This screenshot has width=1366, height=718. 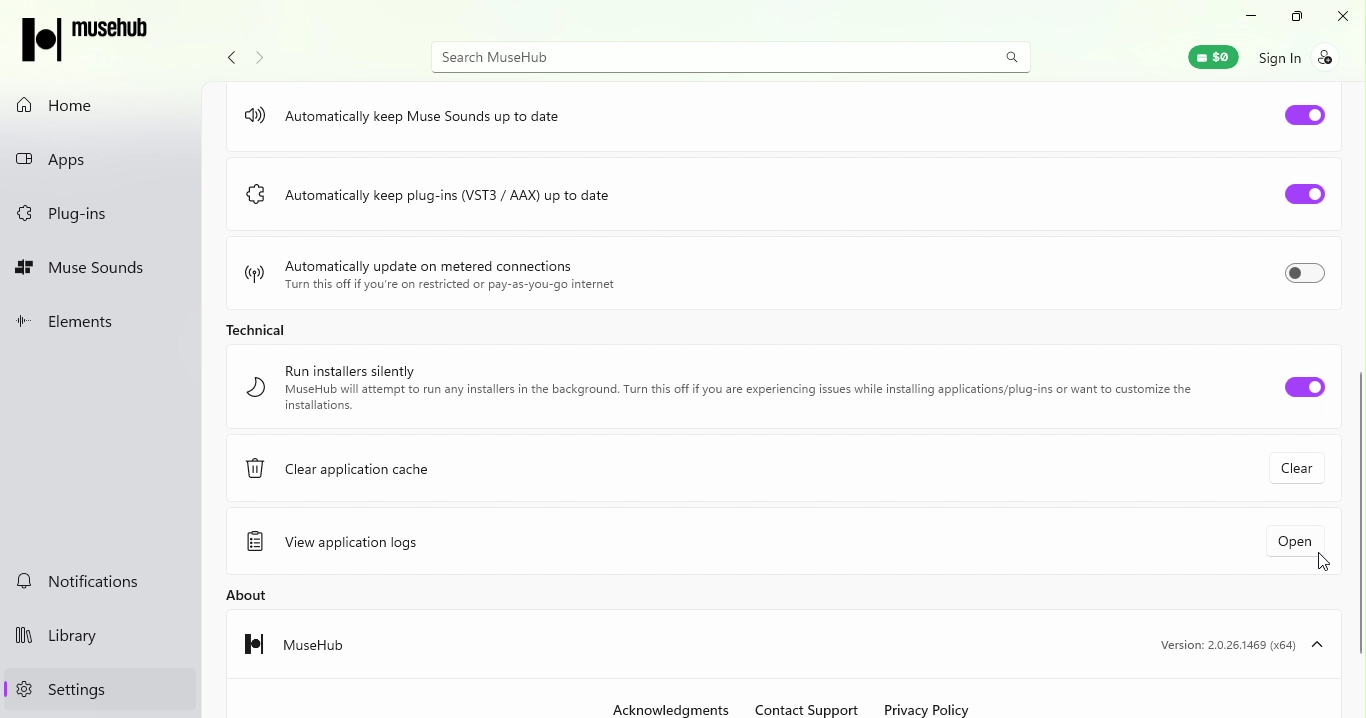 I want to click on Open, so click(x=1294, y=542).